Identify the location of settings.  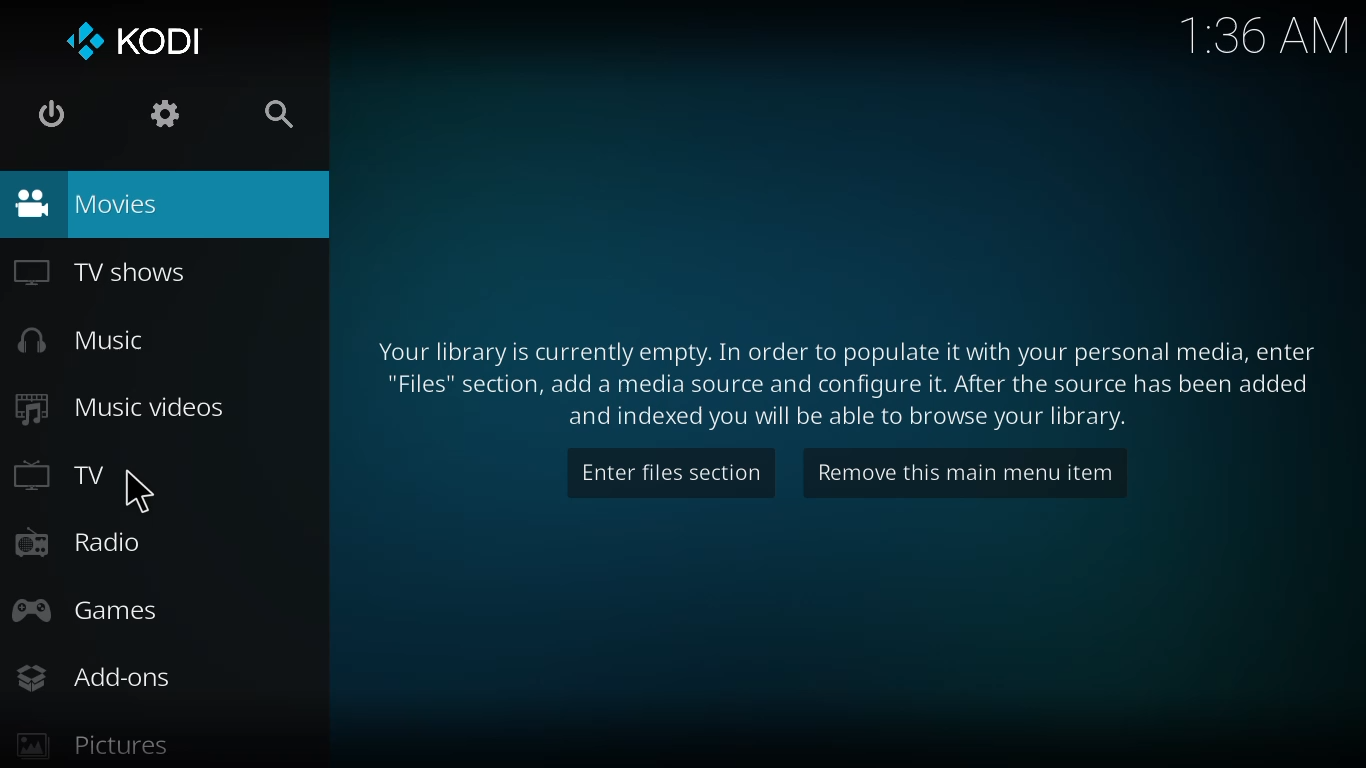
(161, 115).